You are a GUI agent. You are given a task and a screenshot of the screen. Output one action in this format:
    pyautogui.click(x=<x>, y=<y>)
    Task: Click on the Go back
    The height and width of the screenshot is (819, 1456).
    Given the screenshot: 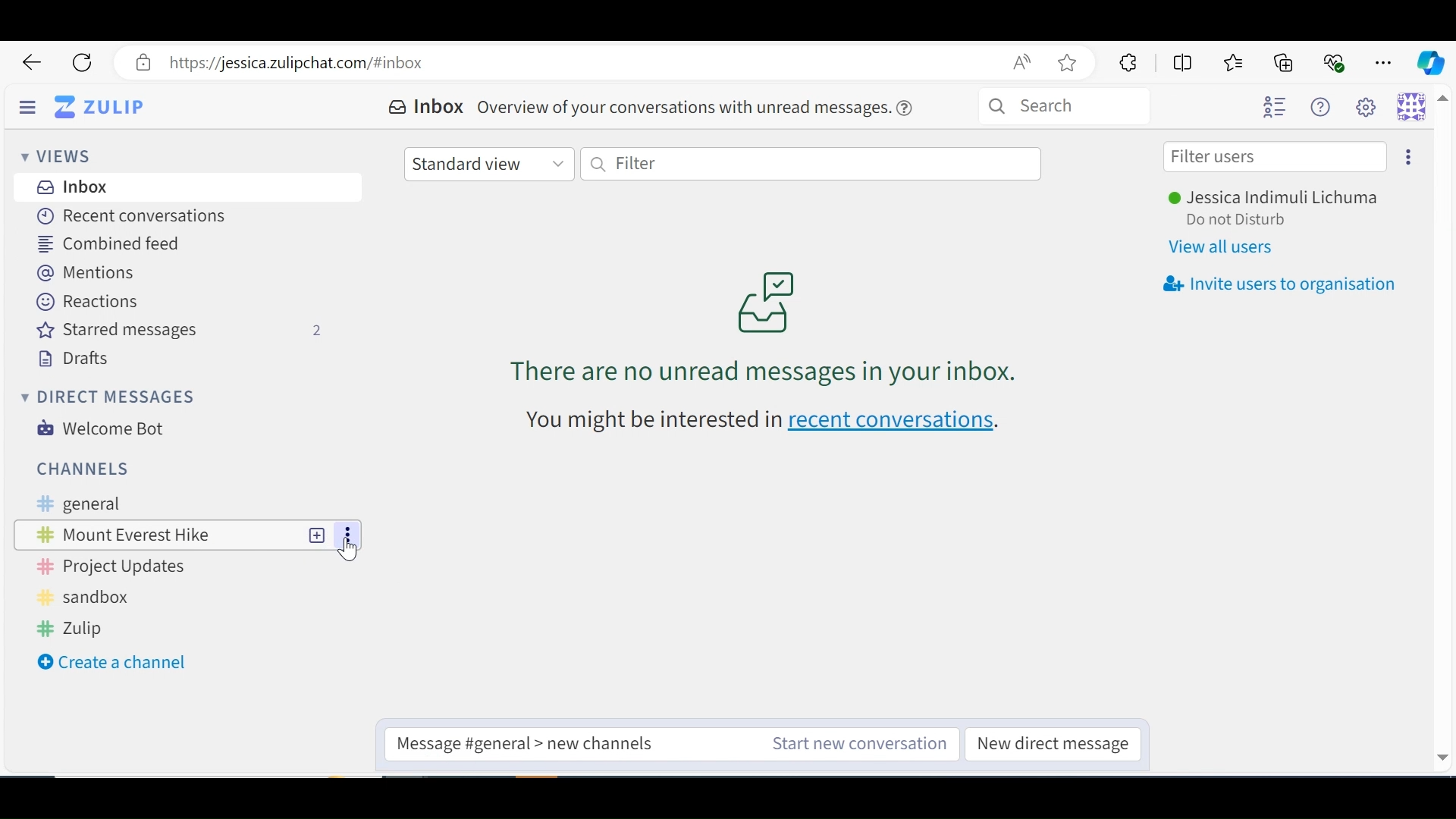 What is the action you would take?
    pyautogui.click(x=33, y=63)
    